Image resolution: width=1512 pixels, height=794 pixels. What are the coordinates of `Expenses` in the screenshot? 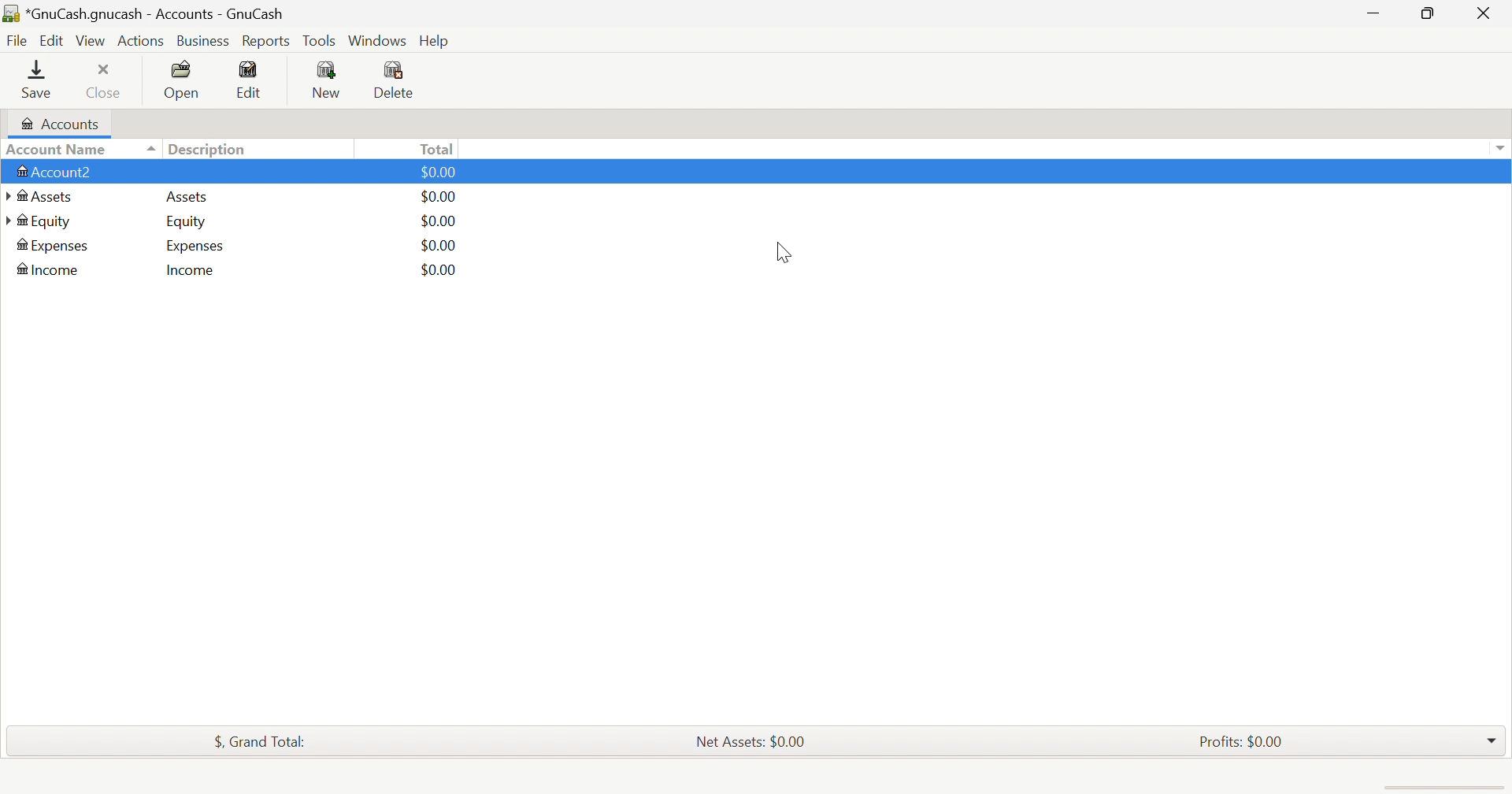 It's located at (195, 248).